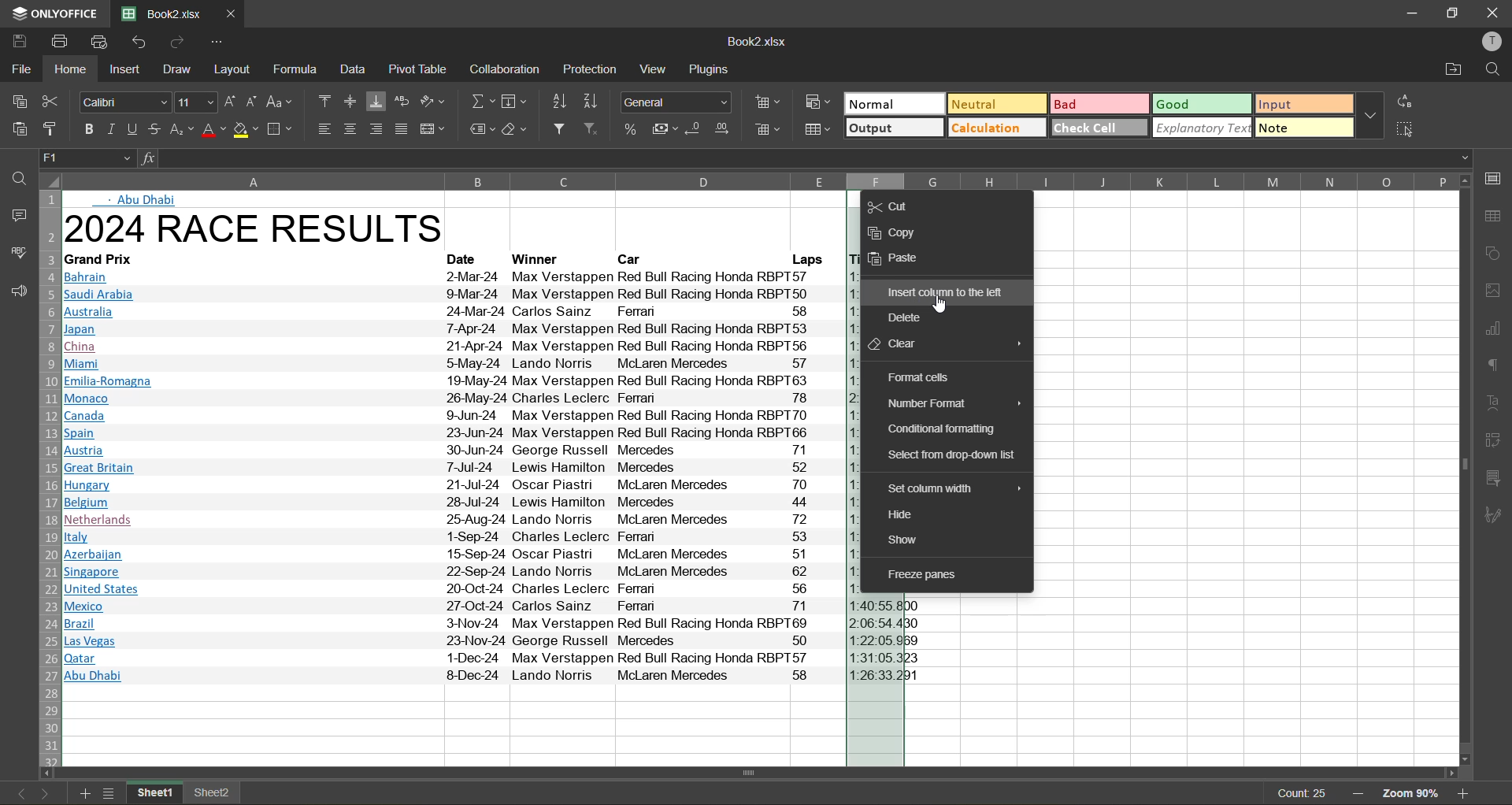 This screenshot has height=805, width=1512. What do you see at coordinates (452, 451) in the screenshot?
I see `B Austria 30-Jun-24 George Russell Mercedes 71 1:24:22 798` at bounding box center [452, 451].